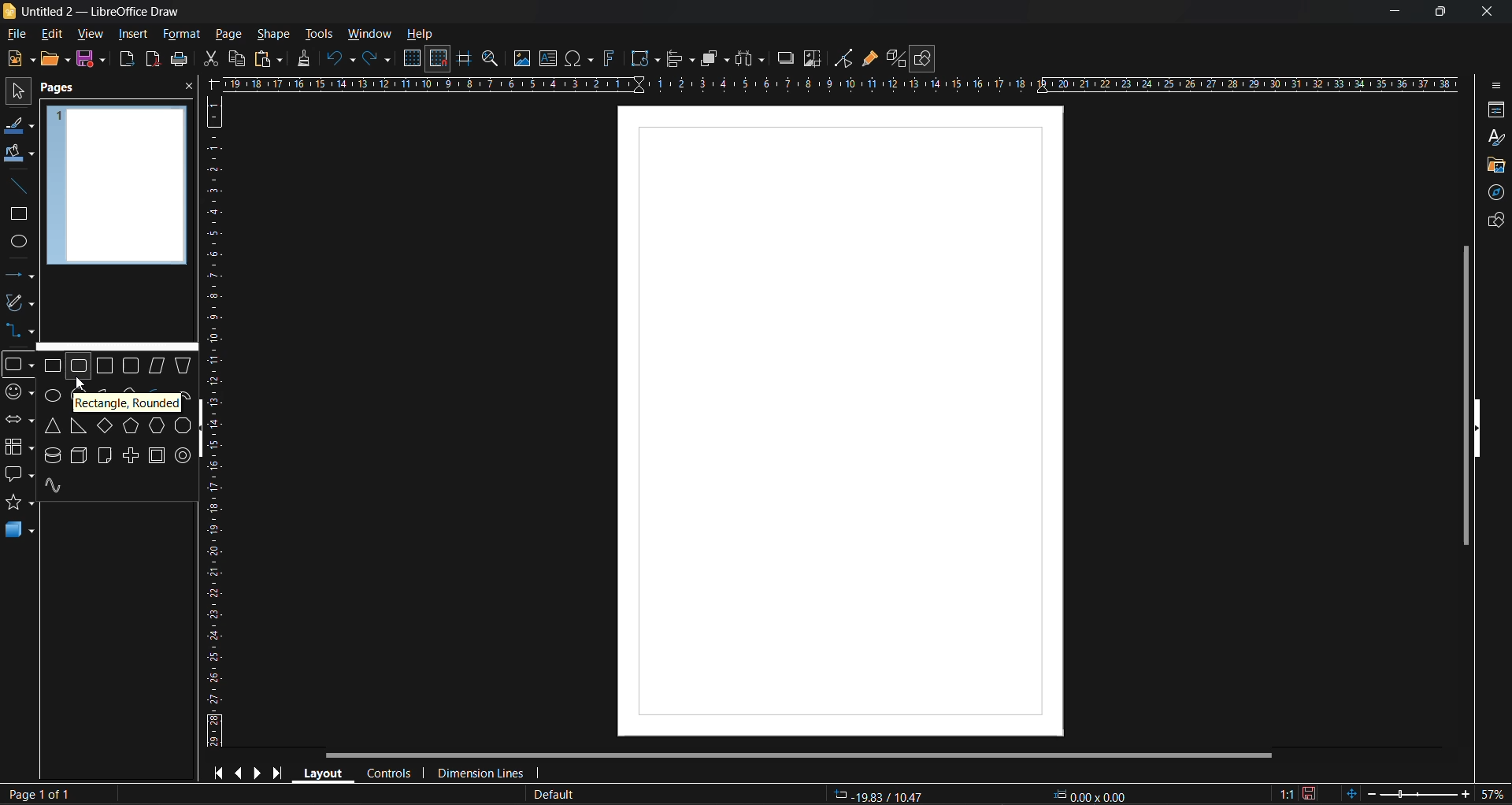 This screenshot has height=805, width=1512. What do you see at coordinates (387, 775) in the screenshot?
I see `controls` at bounding box center [387, 775].